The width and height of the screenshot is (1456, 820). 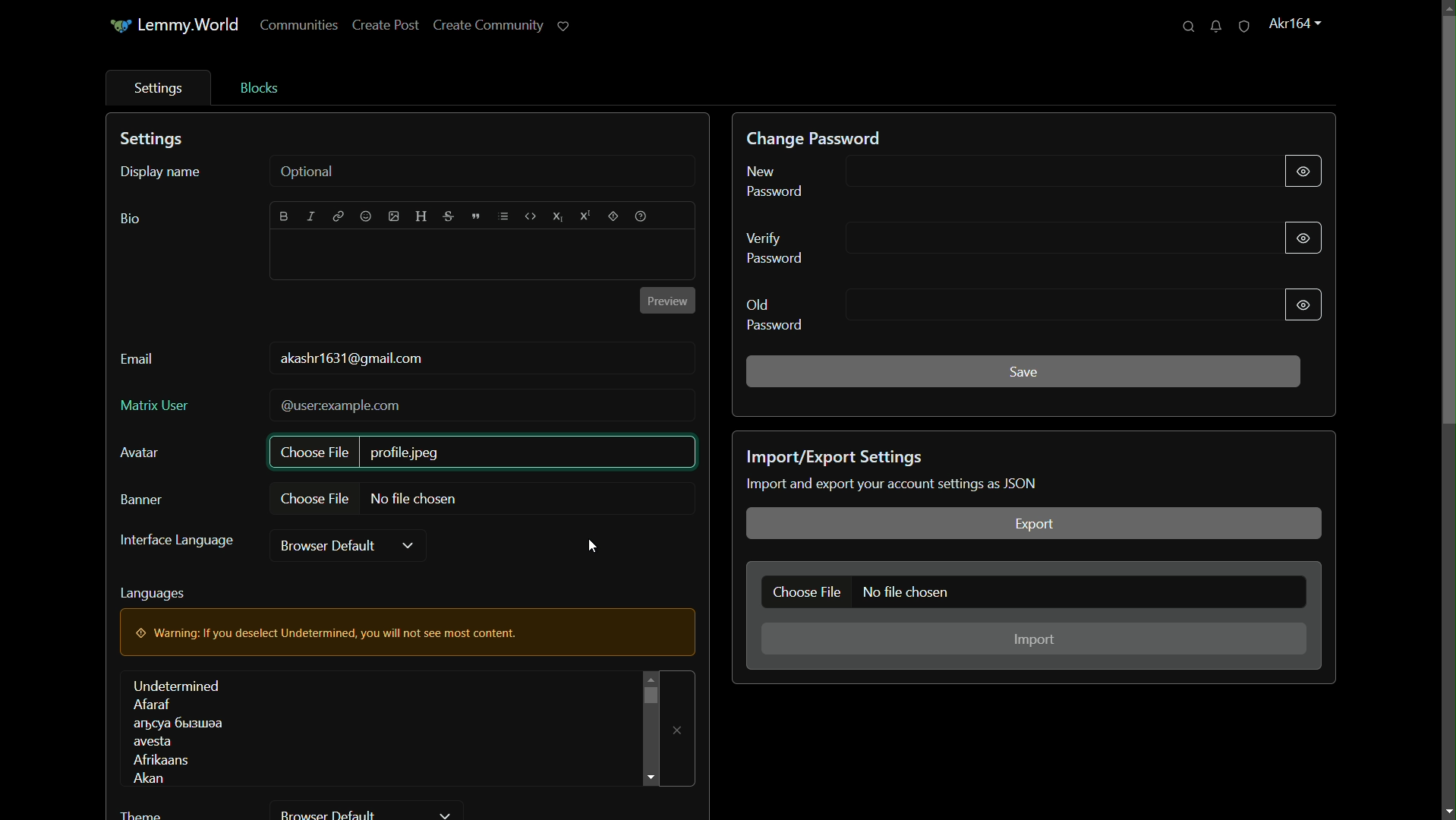 I want to click on superscript, so click(x=585, y=216).